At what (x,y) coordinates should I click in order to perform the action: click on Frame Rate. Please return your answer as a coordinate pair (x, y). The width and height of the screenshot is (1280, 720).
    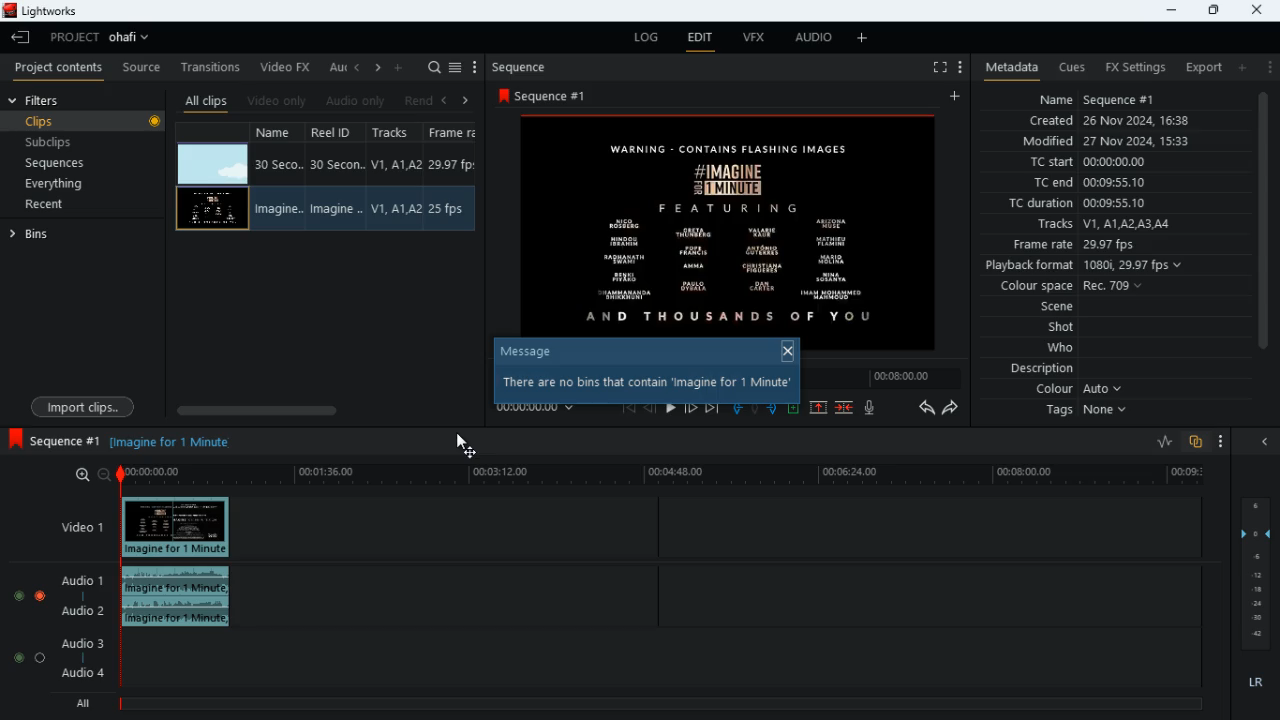
    Looking at the image, I should click on (448, 209).